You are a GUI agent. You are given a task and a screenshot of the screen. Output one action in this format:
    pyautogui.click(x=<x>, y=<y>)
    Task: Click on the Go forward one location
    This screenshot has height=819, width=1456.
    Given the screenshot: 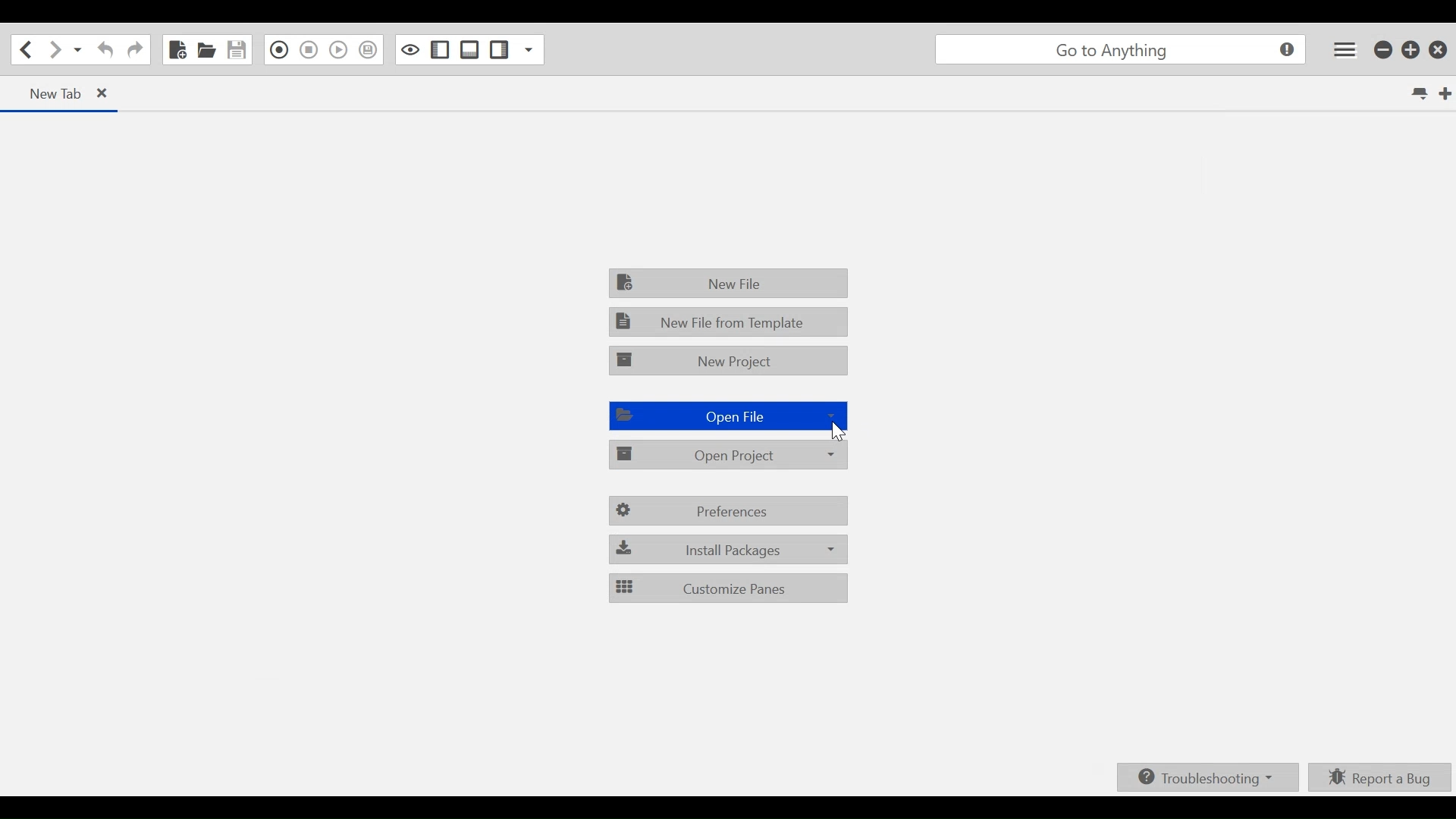 What is the action you would take?
    pyautogui.click(x=56, y=49)
    